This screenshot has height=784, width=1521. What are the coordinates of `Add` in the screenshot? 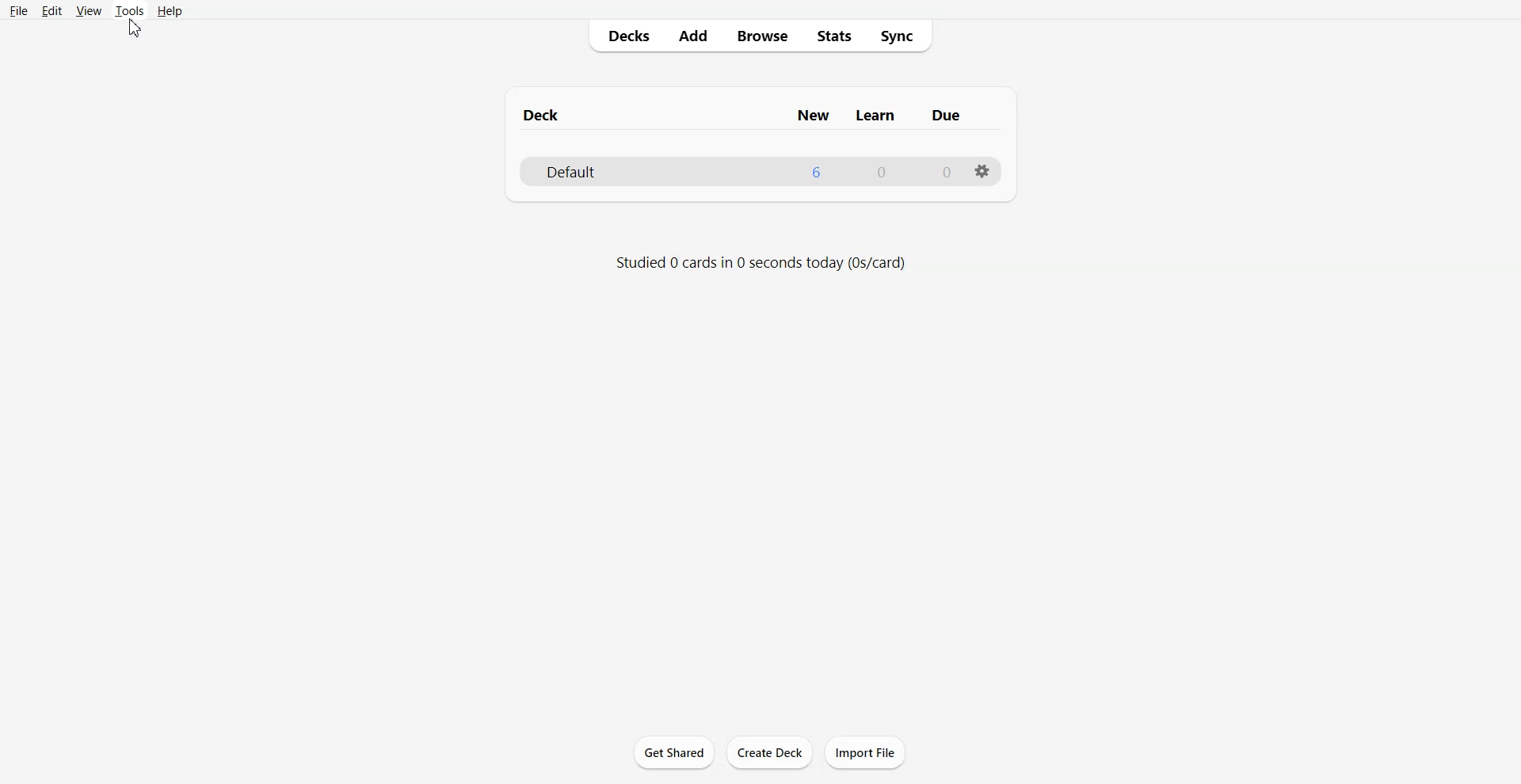 It's located at (692, 36).